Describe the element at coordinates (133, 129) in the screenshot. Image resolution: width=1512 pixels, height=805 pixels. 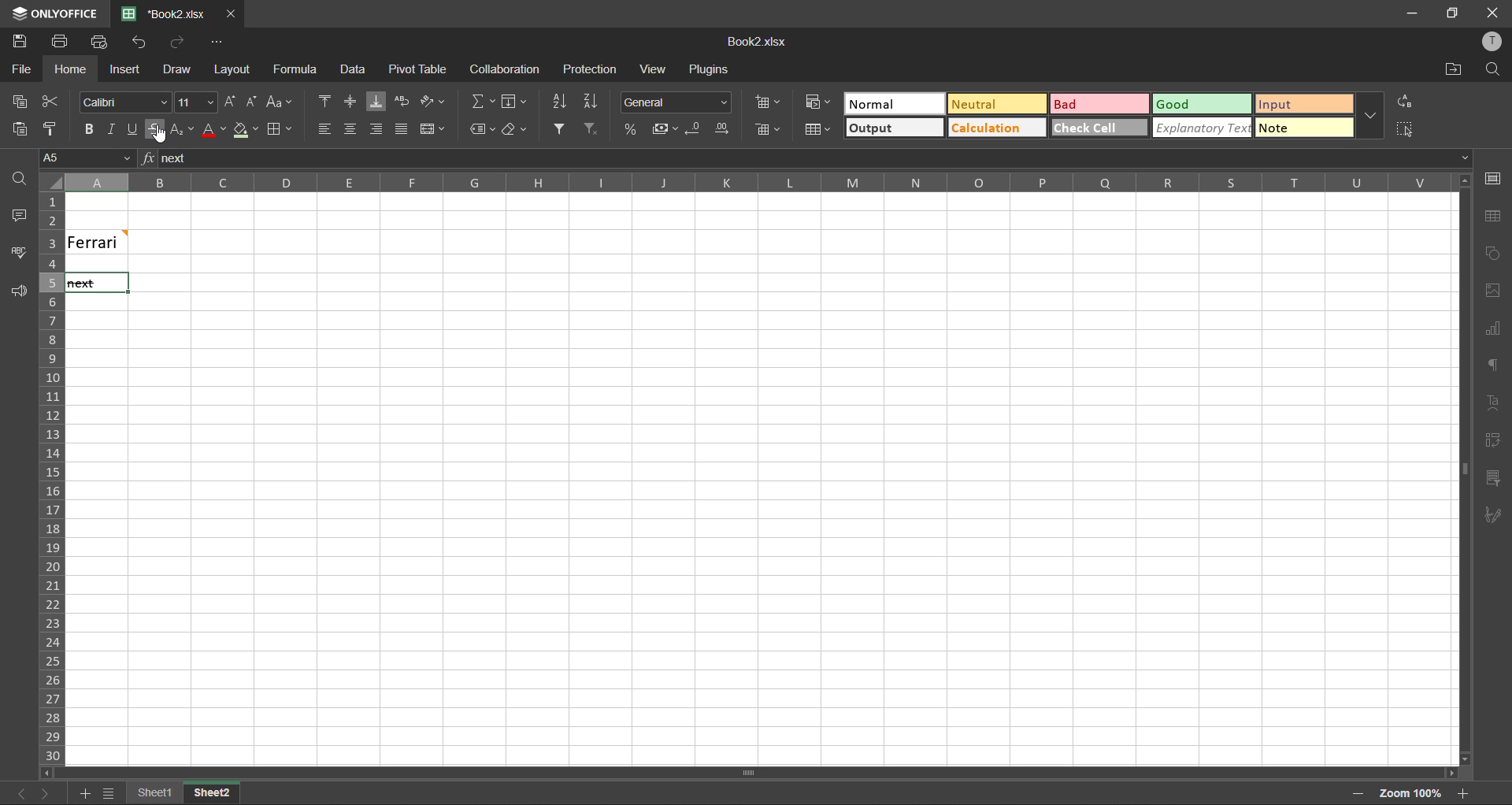
I see `underline` at that location.